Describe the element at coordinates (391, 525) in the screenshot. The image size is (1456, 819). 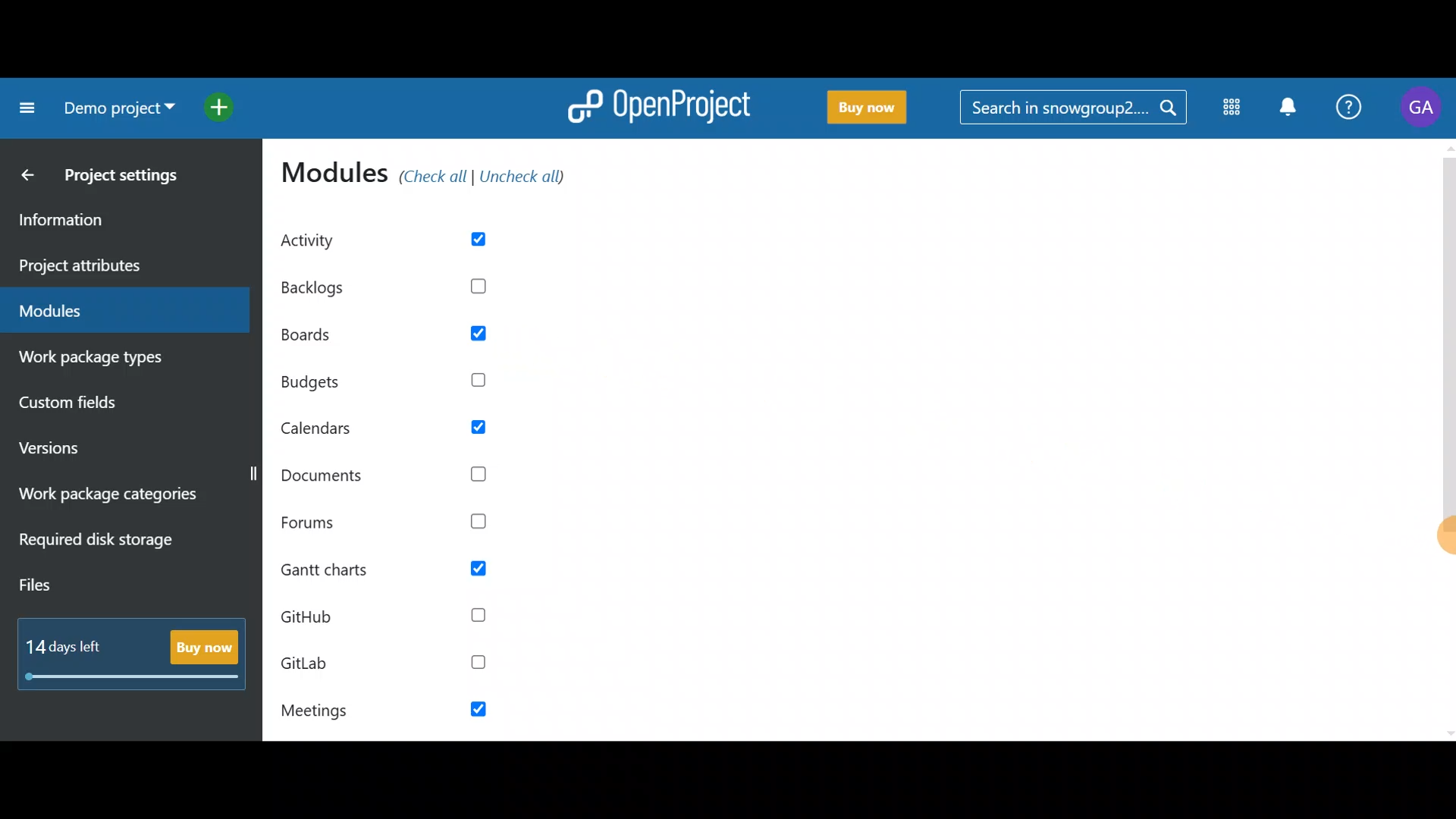
I see `Forums` at that location.